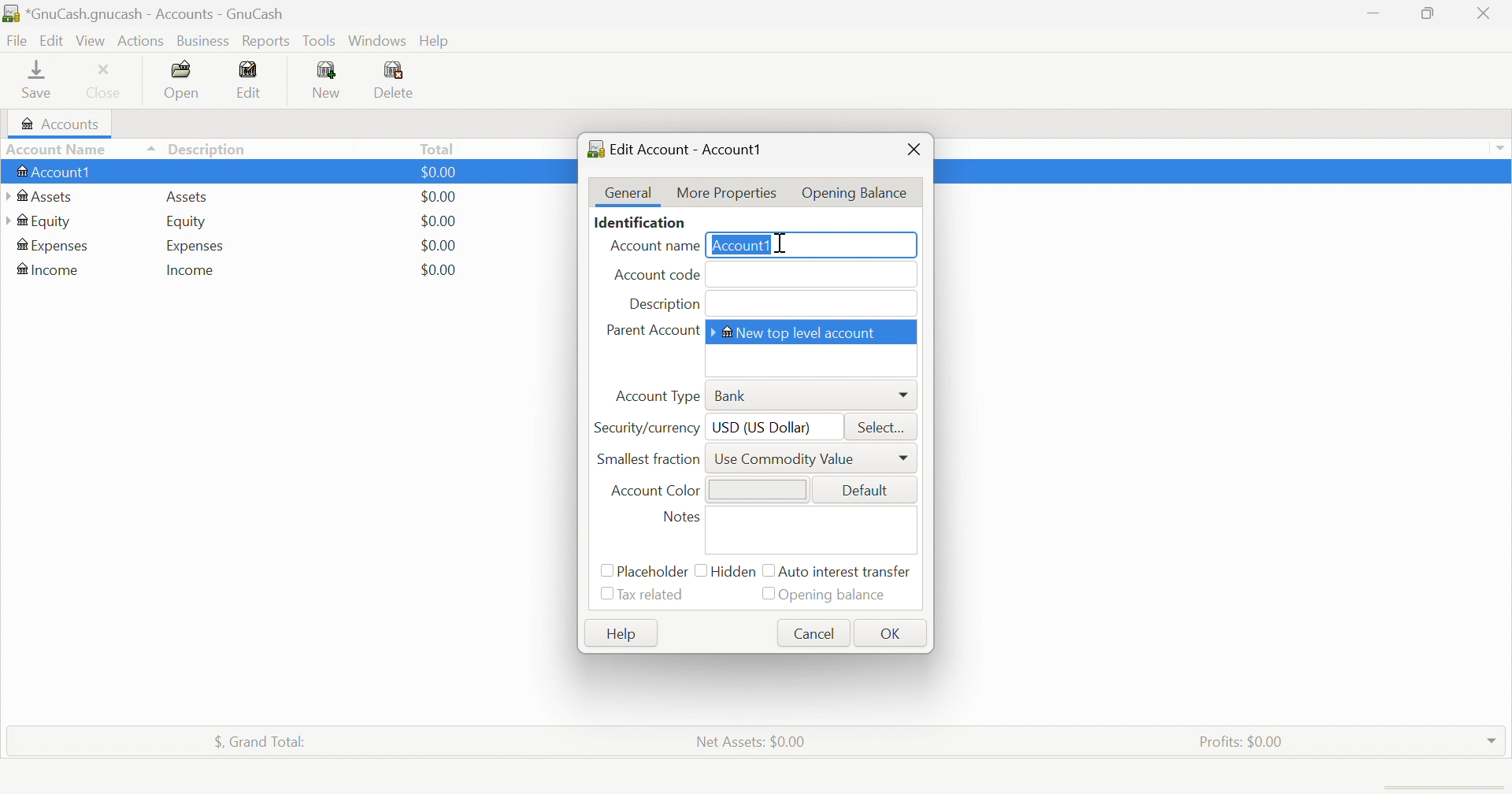 Image resolution: width=1512 pixels, height=794 pixels. I want to click on $0.00, so click(438, 220).